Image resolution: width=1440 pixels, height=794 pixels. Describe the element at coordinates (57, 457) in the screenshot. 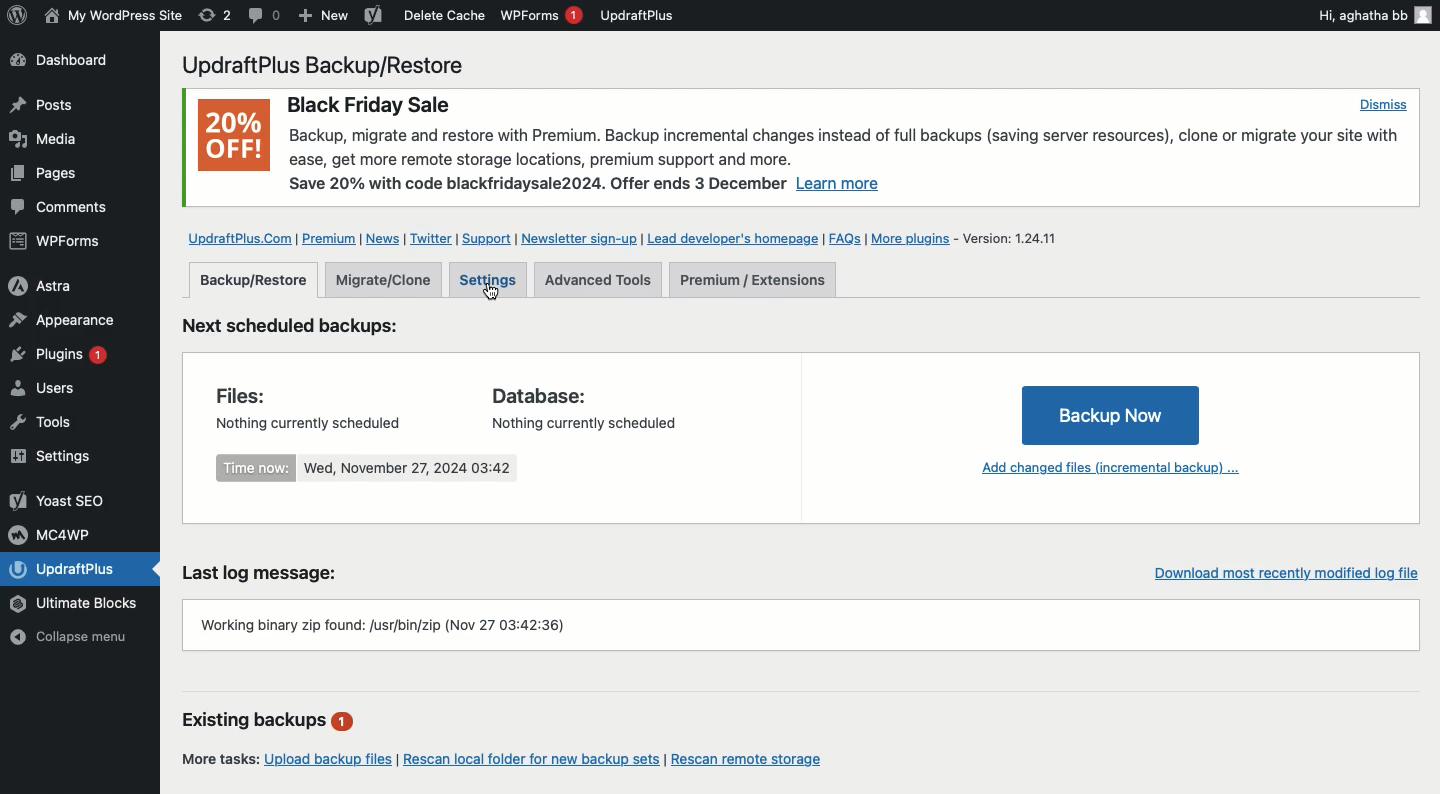

I see `Settings` at that location.